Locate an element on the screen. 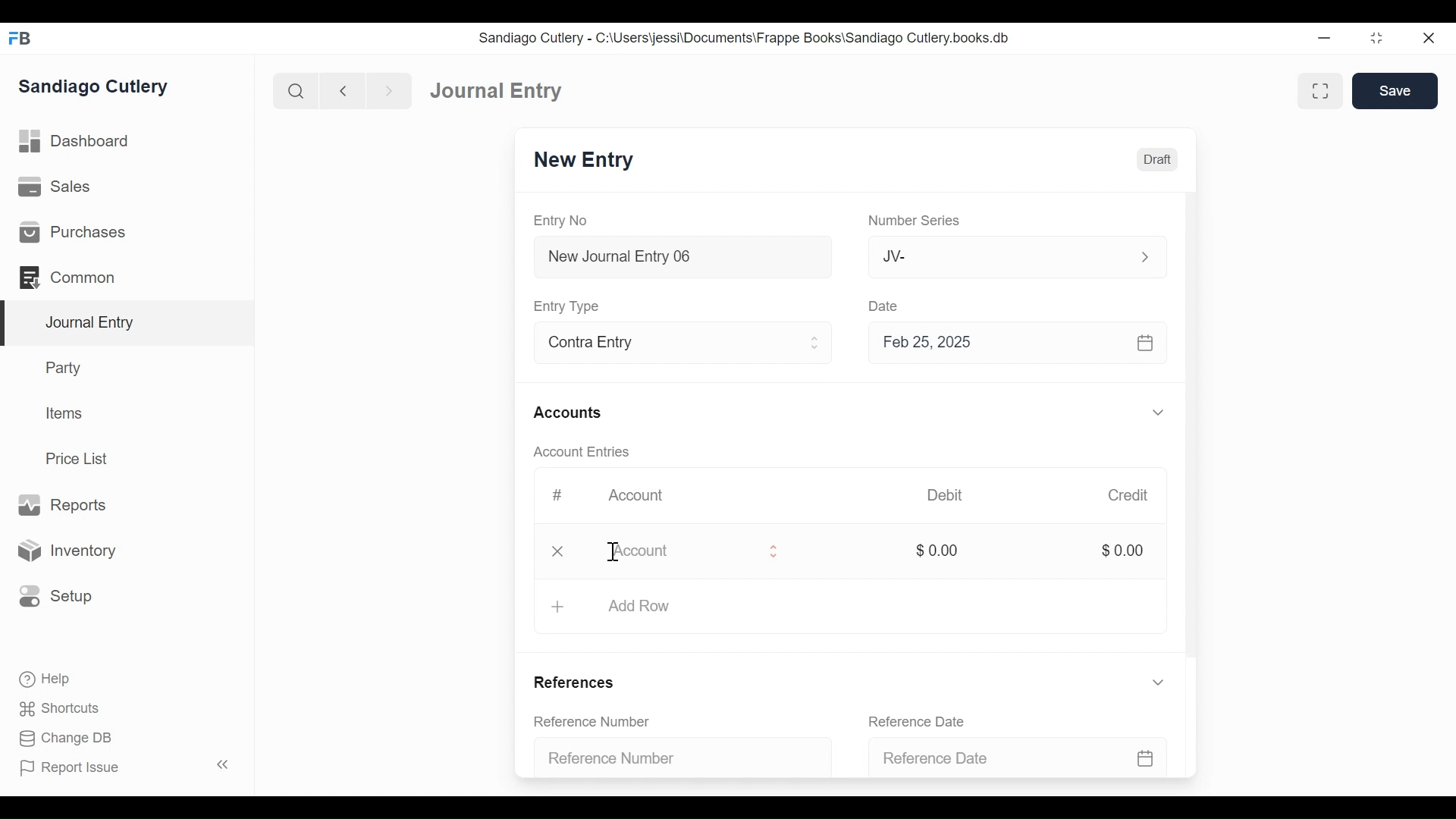 The width and height of the screenshot is (1456, 819). Reference Date is located at coordinates (1021, 756).